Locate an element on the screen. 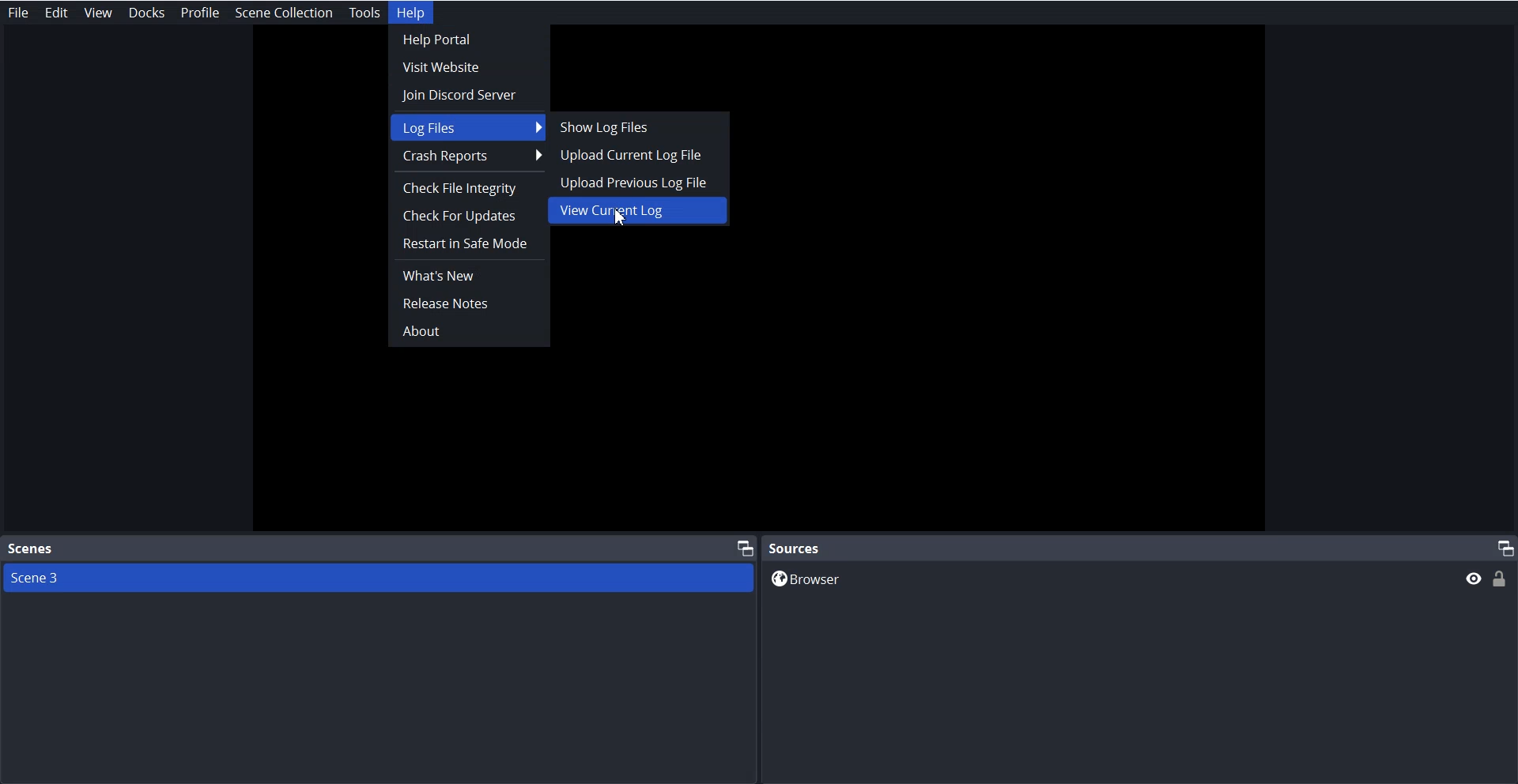  Check File Integrity is located at coordinates (469, 189).